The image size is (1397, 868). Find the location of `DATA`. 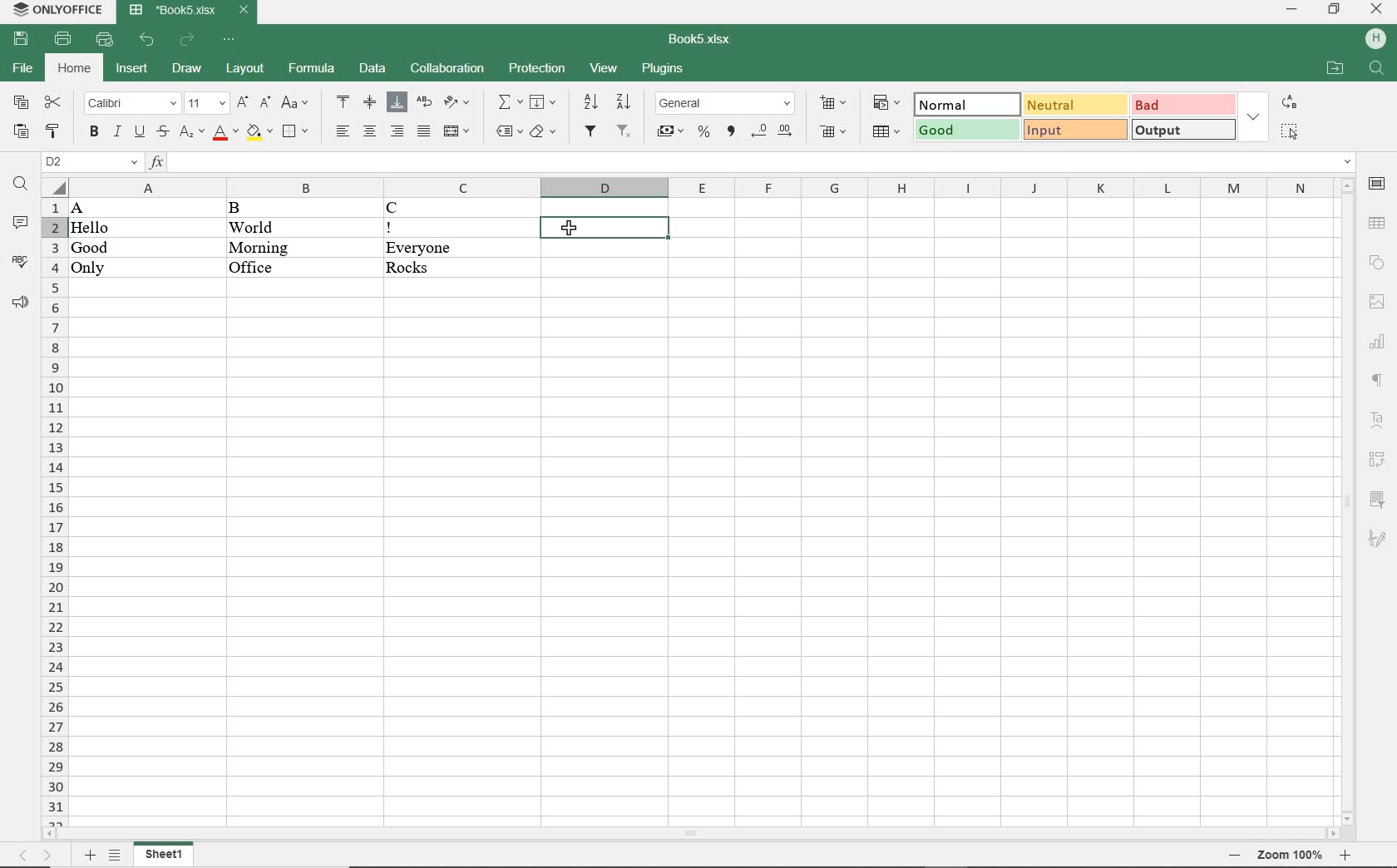

DATA is located at coordinates (269, 239).